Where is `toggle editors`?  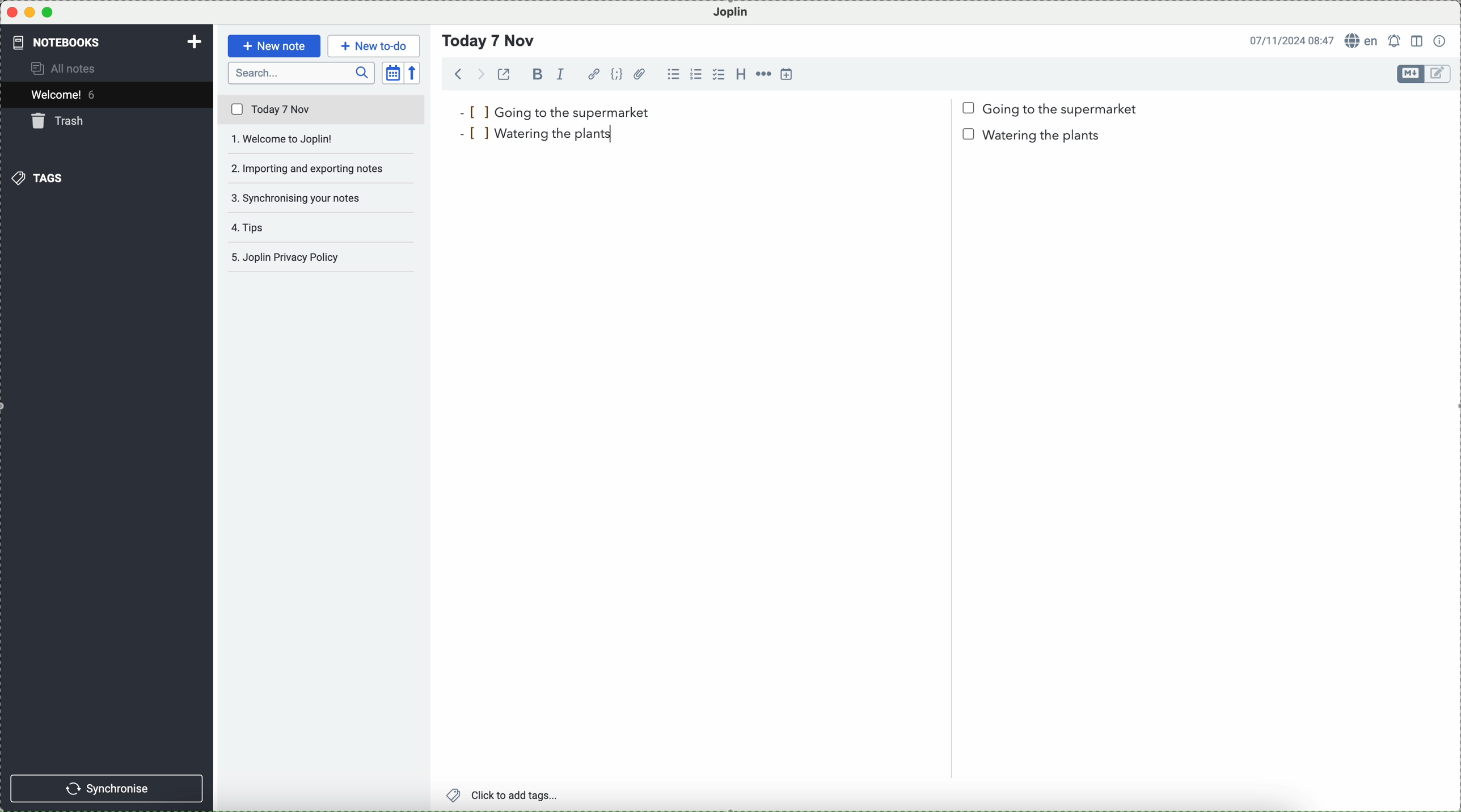
toggle editors is located at coordinates (1411, 74).